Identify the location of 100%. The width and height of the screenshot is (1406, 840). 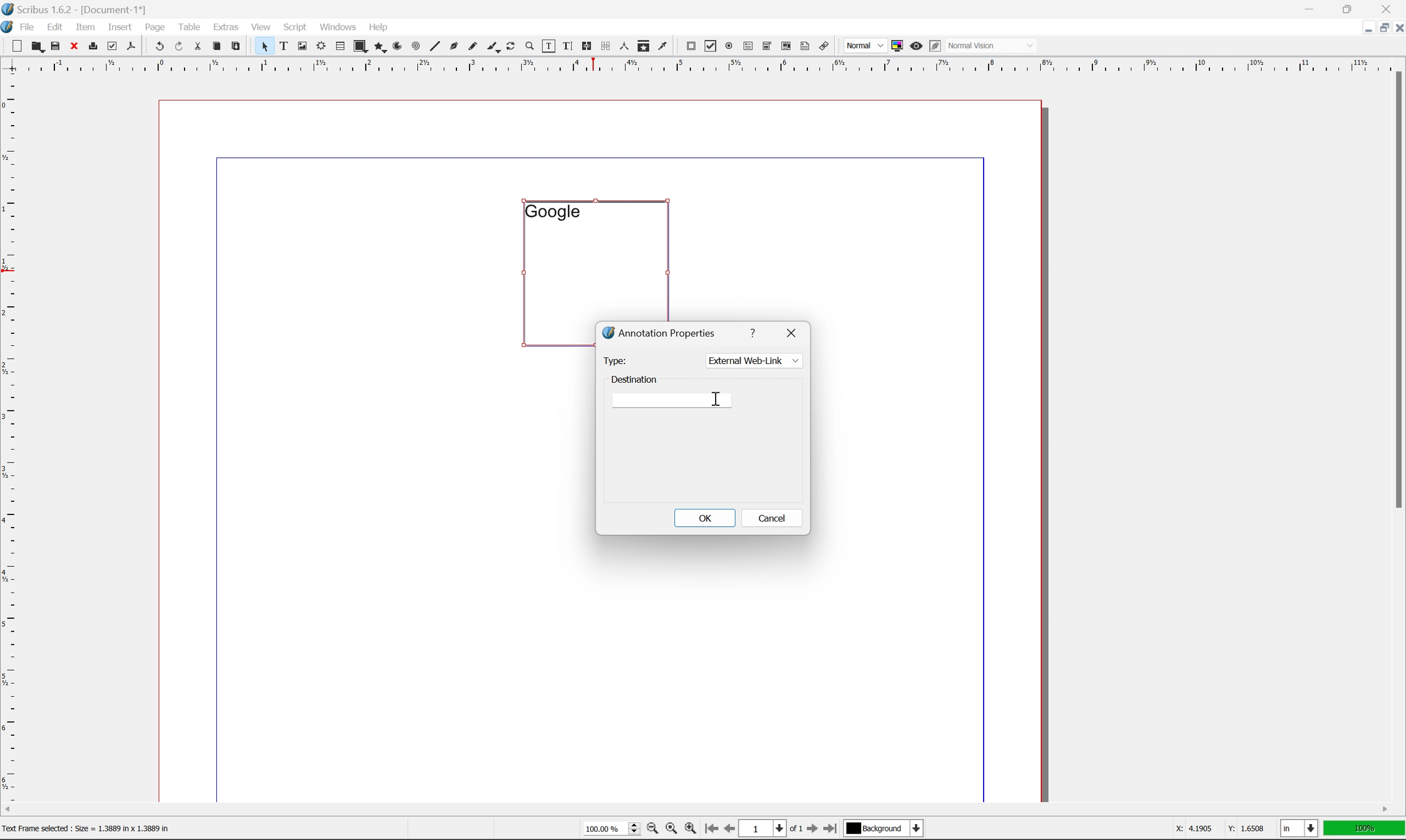
(1365, 829).